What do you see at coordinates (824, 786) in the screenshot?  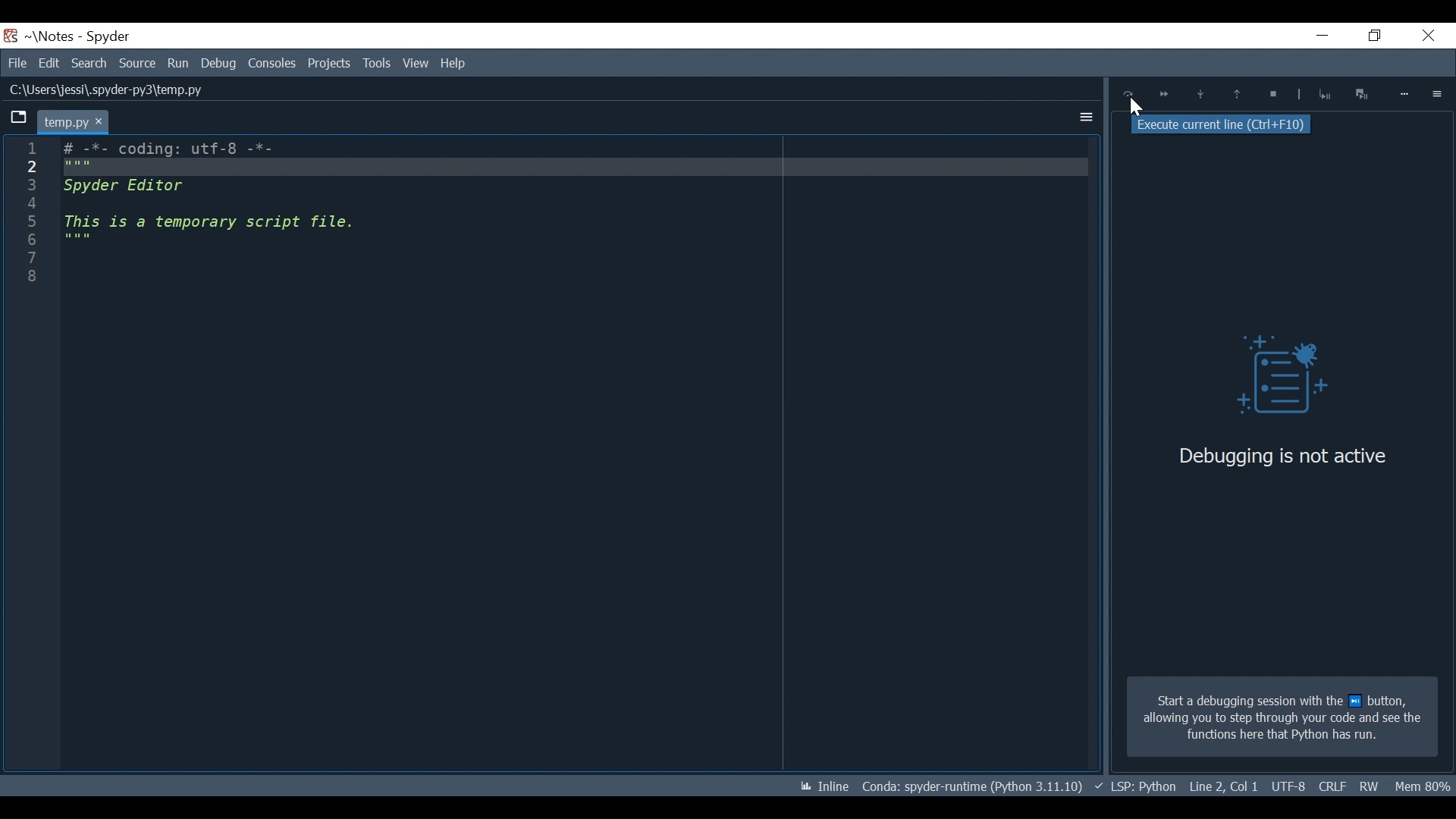 I see `Toggle inline and interactive Matplotlib plotting` at bounding box center [824, 786].